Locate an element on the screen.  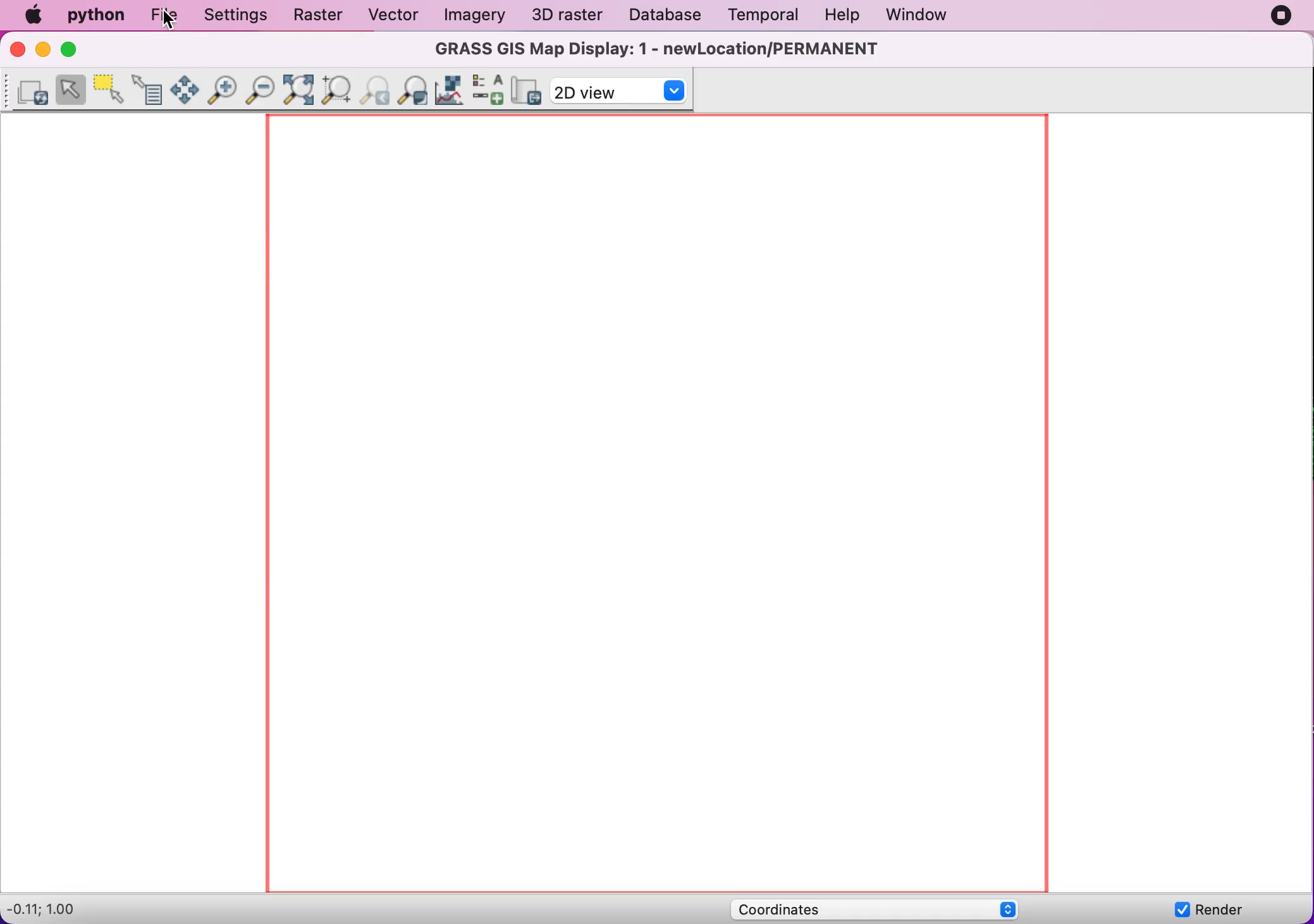
zoom to selected maps is located at coordinates (300, 90).